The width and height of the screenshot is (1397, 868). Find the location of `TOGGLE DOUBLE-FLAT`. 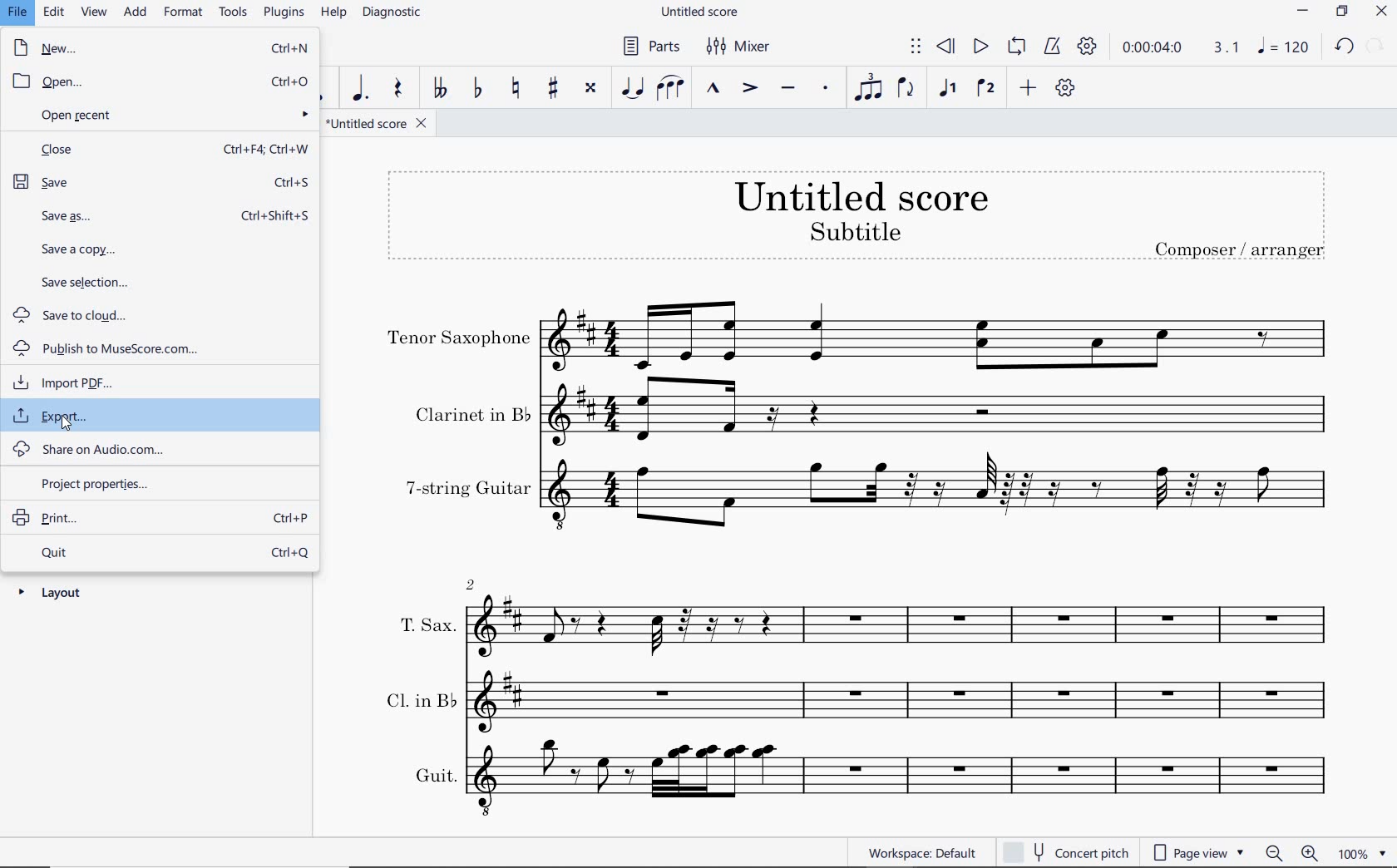

TOGGLE DOUBLE-FLAT is located at coordinates (440, 89).